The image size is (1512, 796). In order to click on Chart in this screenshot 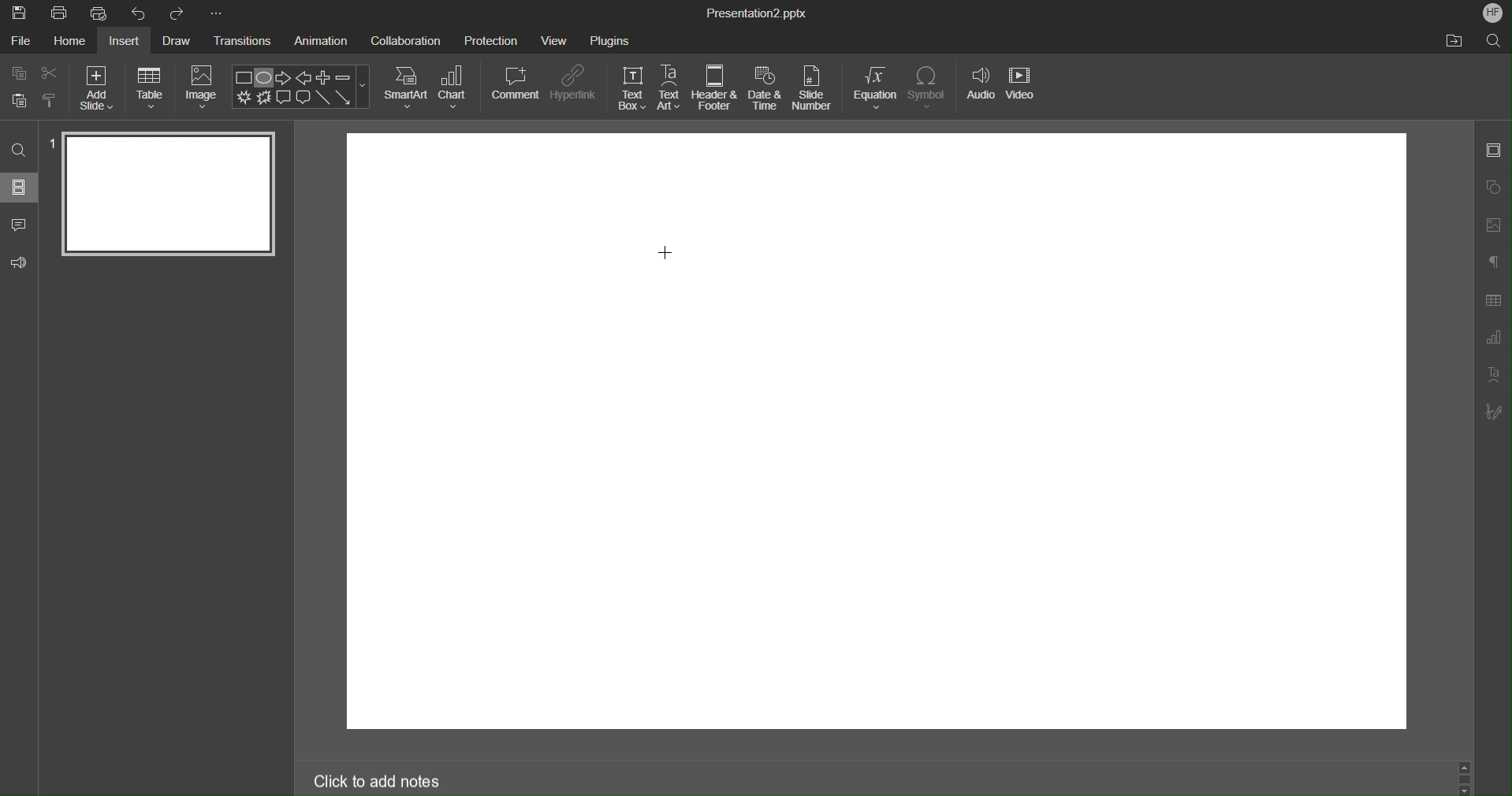, I will do `click(455, 87)`.